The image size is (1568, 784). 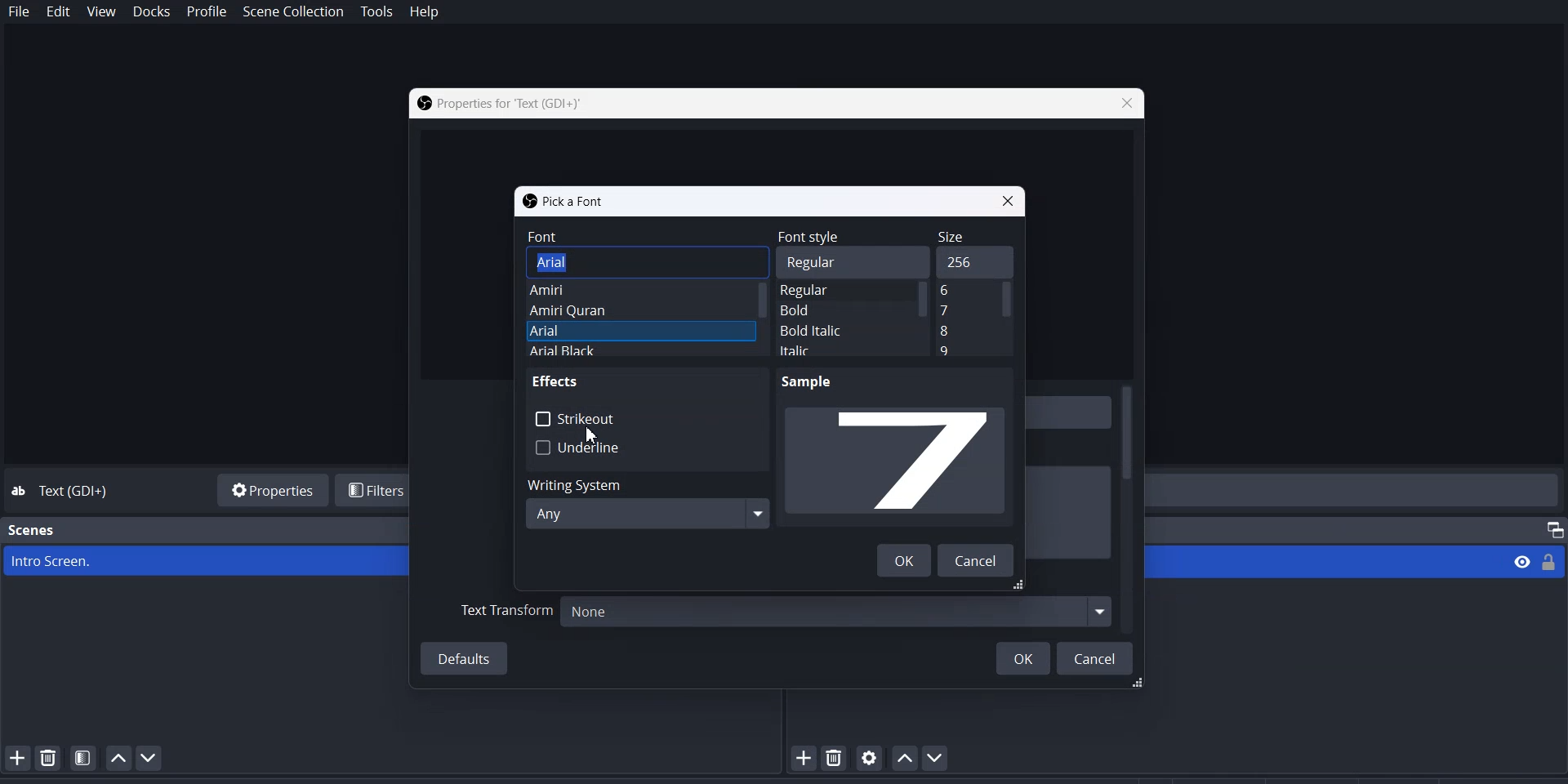 I want to click on View, so click(x=1521, y=563).